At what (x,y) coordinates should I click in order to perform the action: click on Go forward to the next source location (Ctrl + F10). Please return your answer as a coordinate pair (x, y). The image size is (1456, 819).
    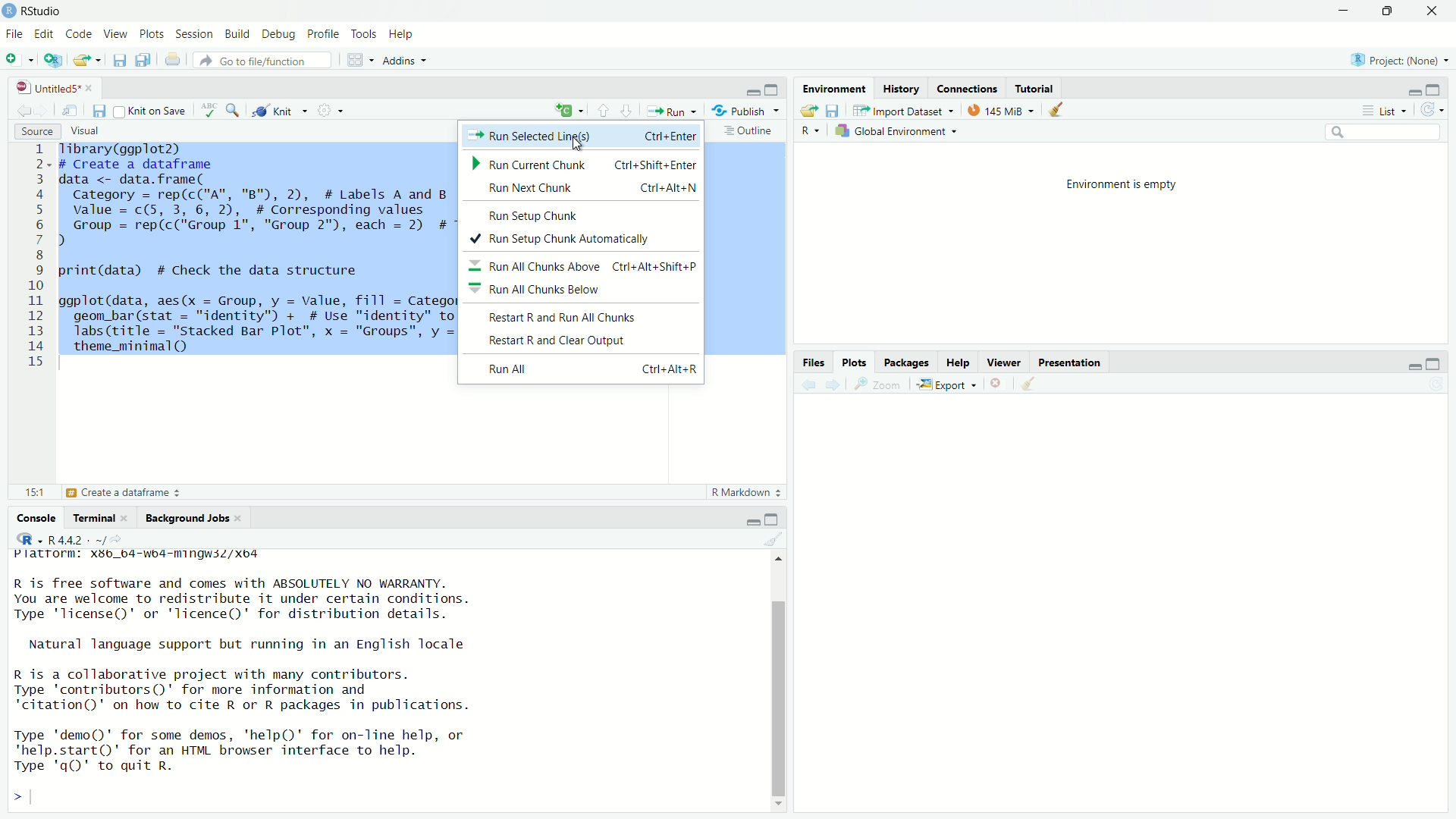
    Looking at the image, I should click on (831, 383).